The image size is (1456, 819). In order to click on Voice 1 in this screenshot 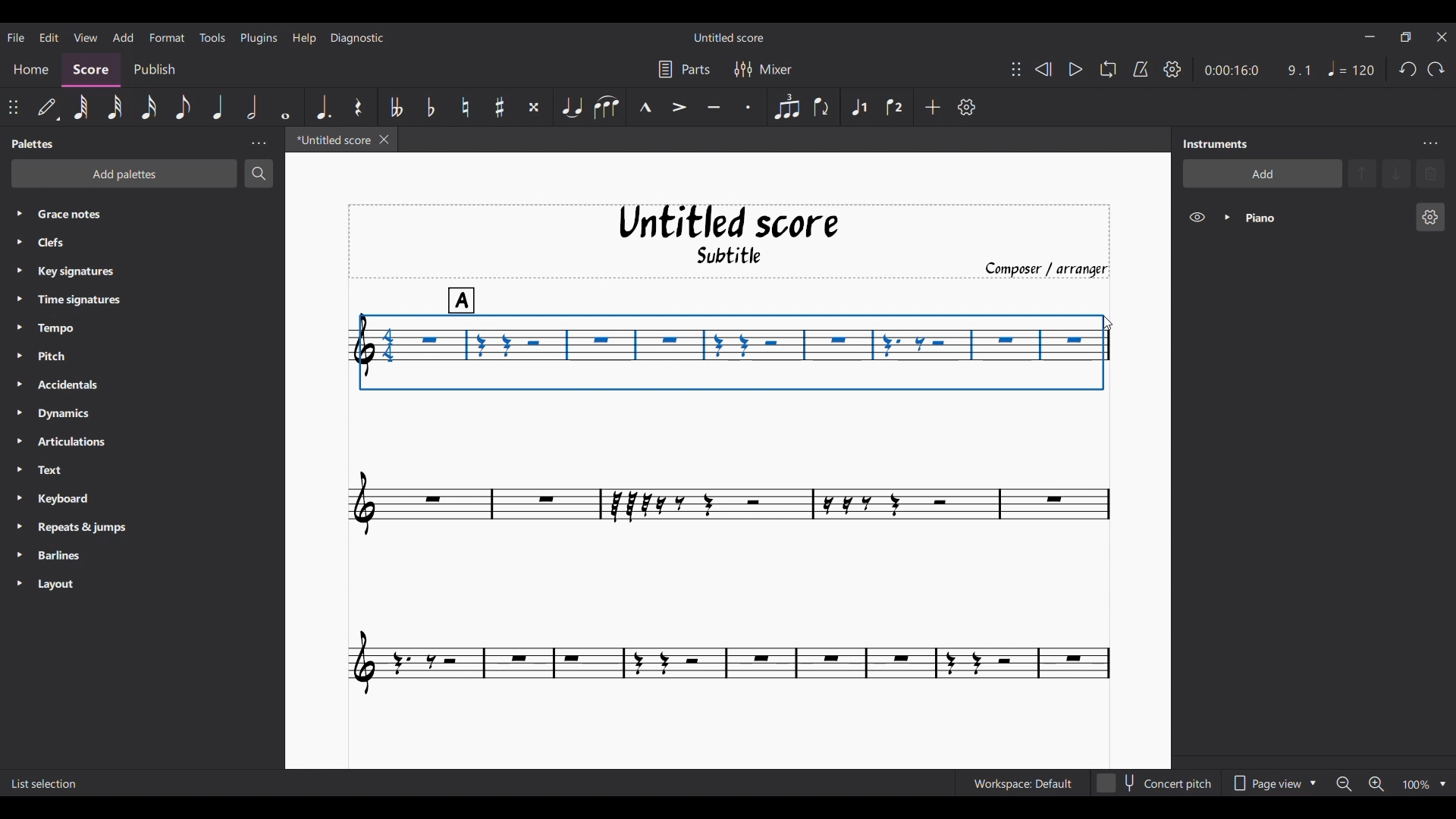, I will do `click(858, 108)`.